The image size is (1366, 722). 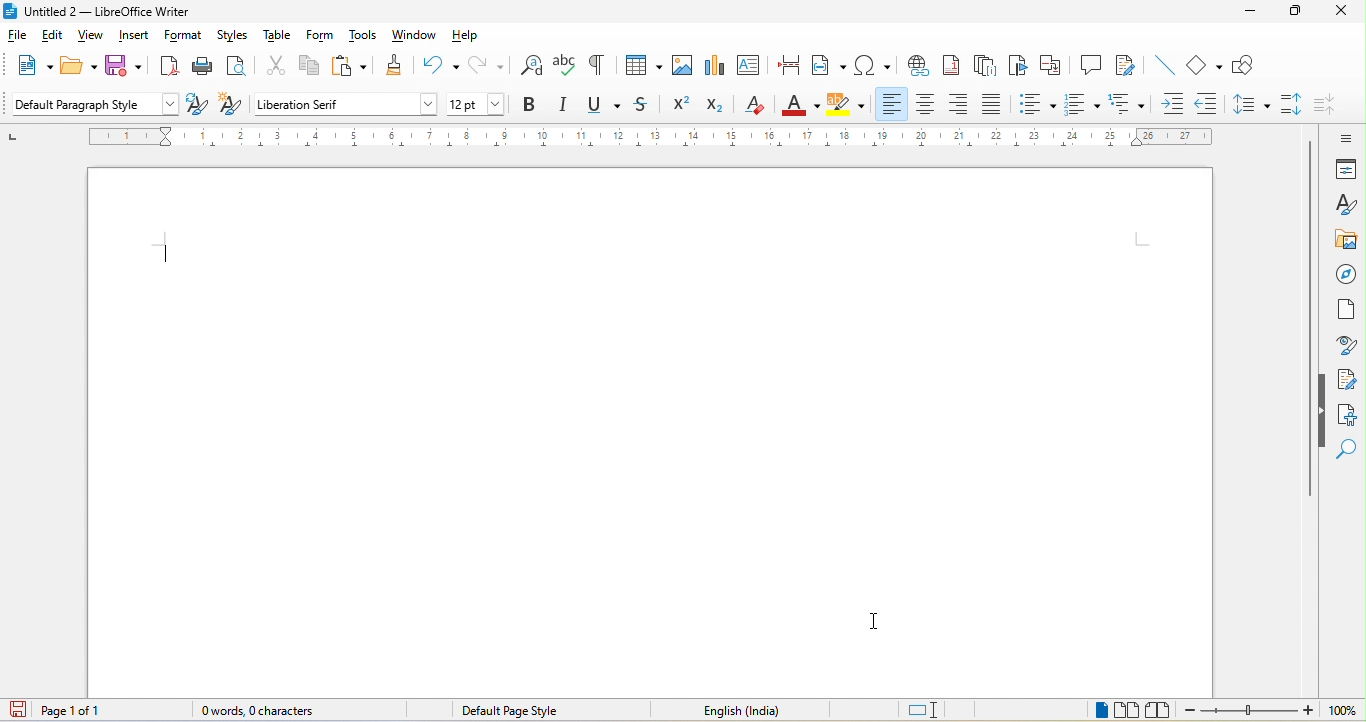 I want to click on file, so click(x=18, y=35).